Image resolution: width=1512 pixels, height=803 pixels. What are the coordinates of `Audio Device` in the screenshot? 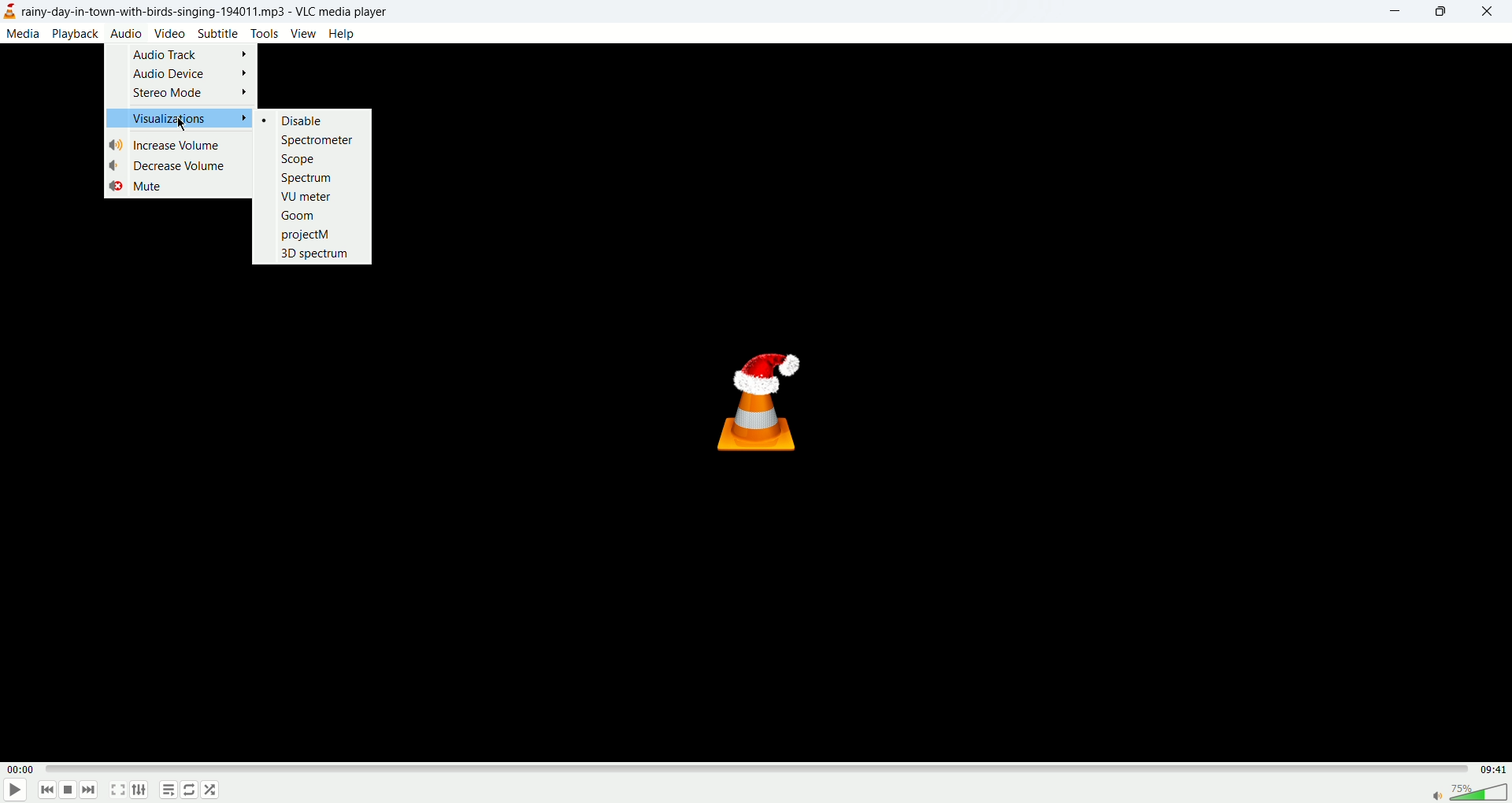 It's located at (184, 73).